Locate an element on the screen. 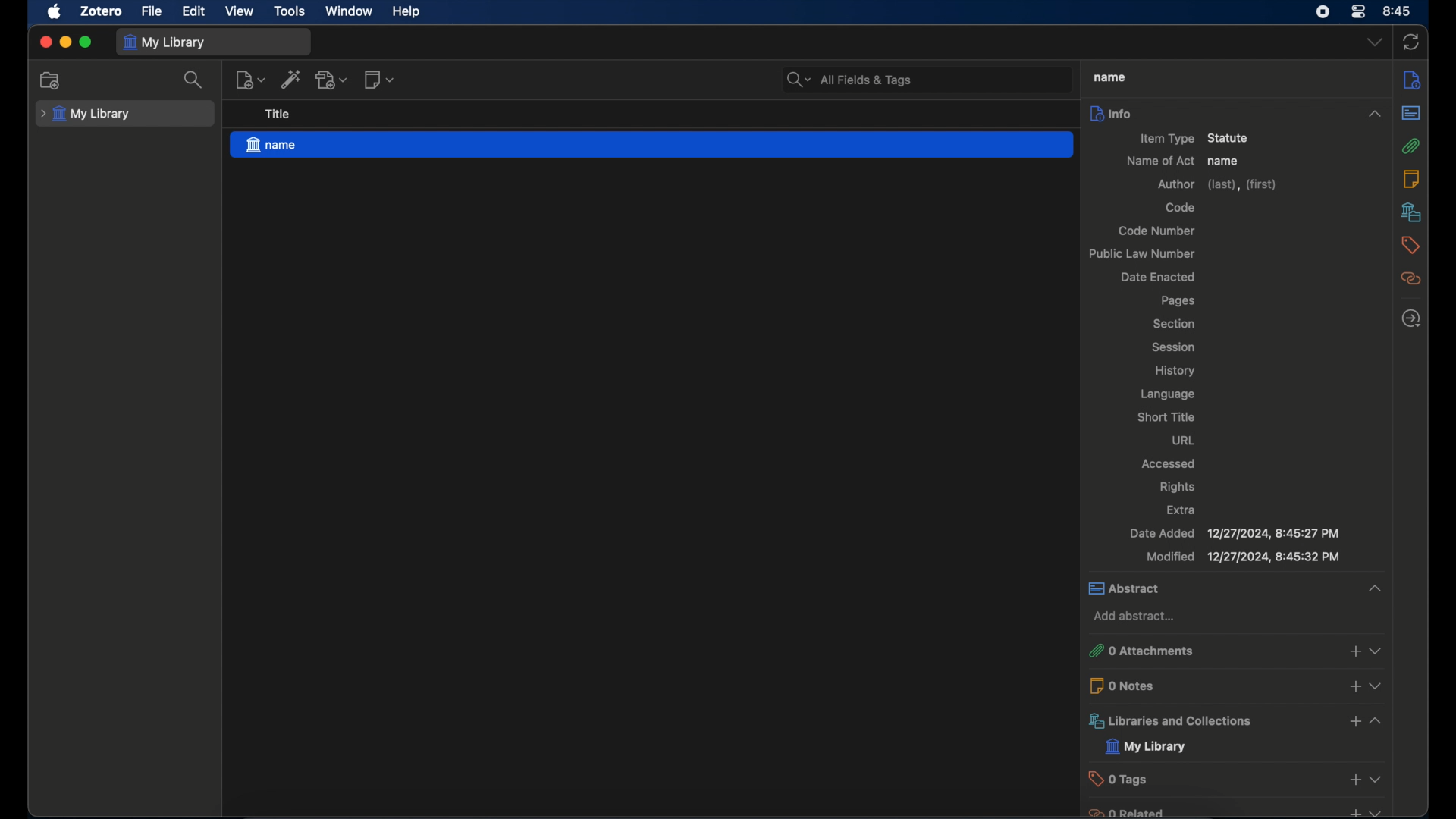  item type is located at coordinates (1197, 137).